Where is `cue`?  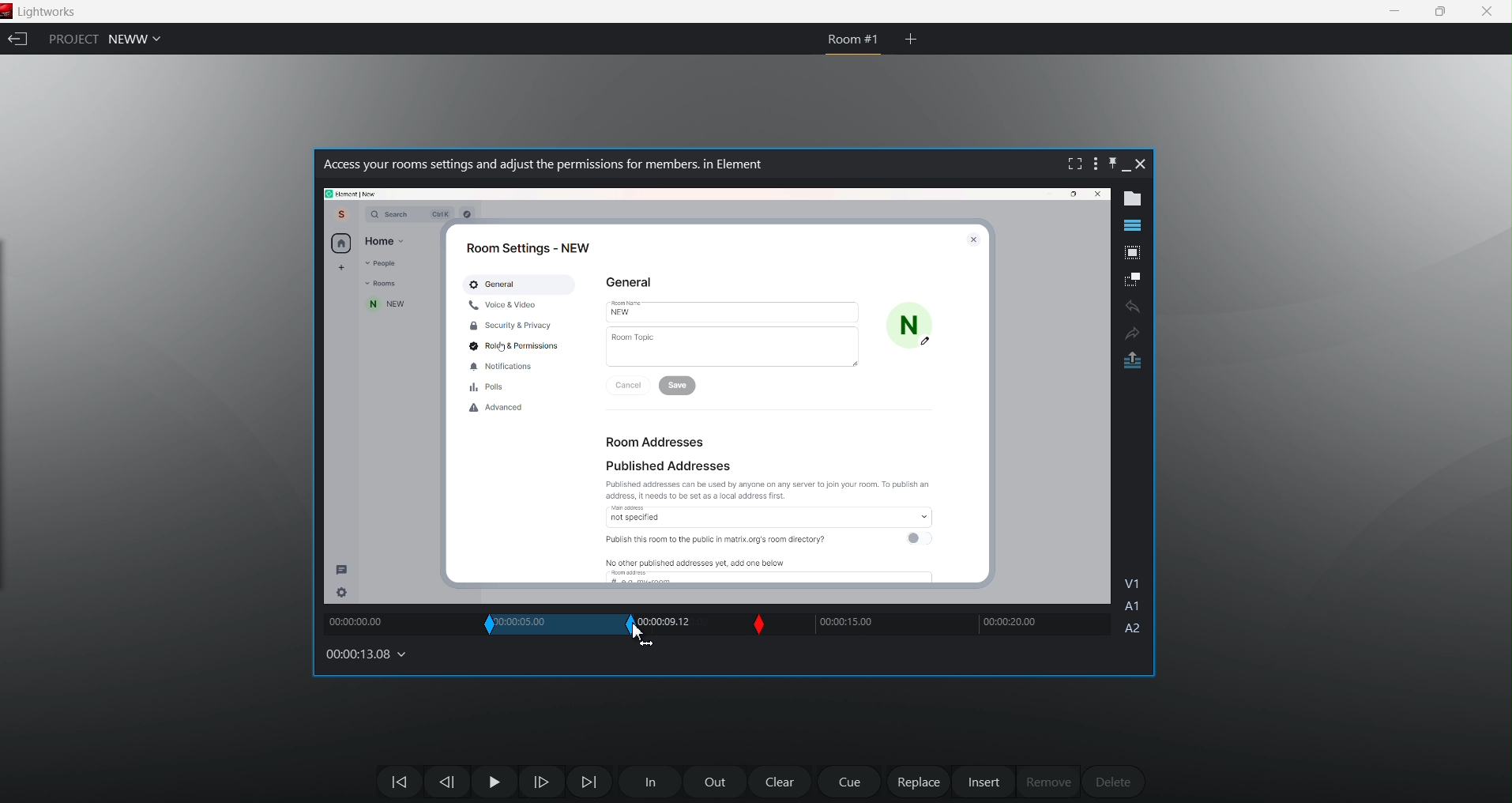 cue is located at coordinates (848, 782).